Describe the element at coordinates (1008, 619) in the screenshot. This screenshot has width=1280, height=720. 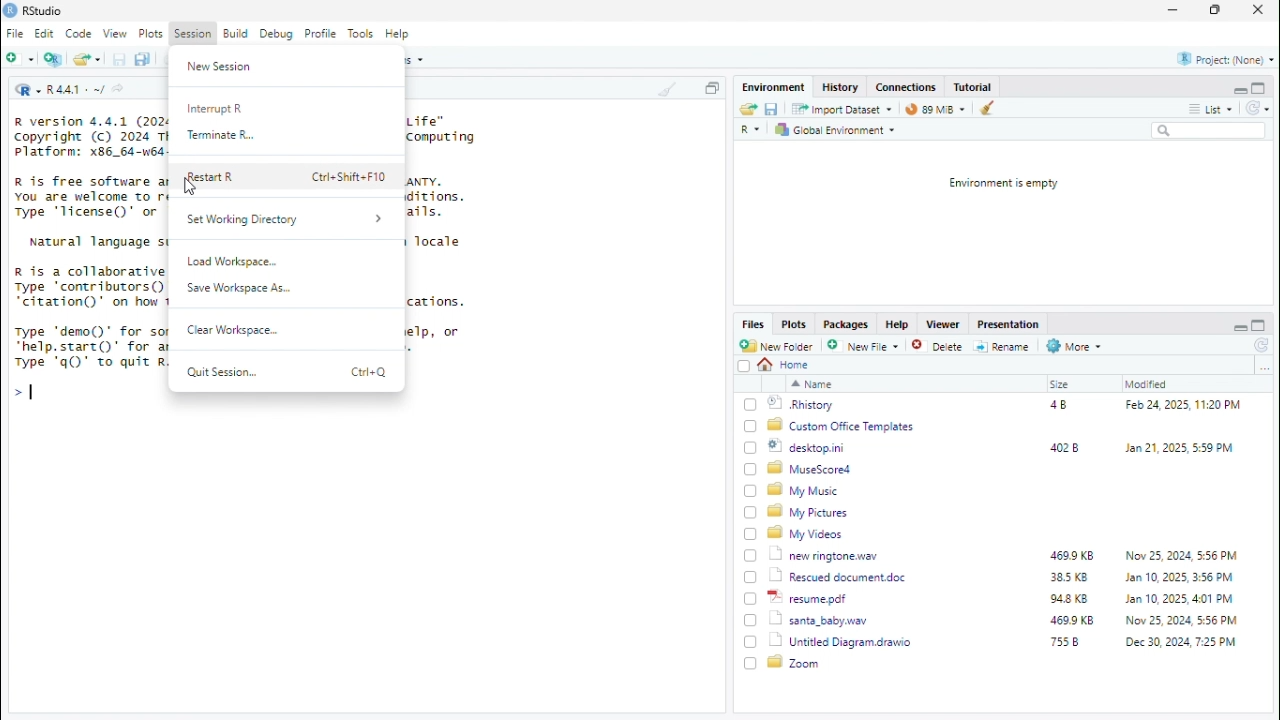
I see `santa_baby.wav 469.9KB Now 25,2024, 5:56 PM` at that location.